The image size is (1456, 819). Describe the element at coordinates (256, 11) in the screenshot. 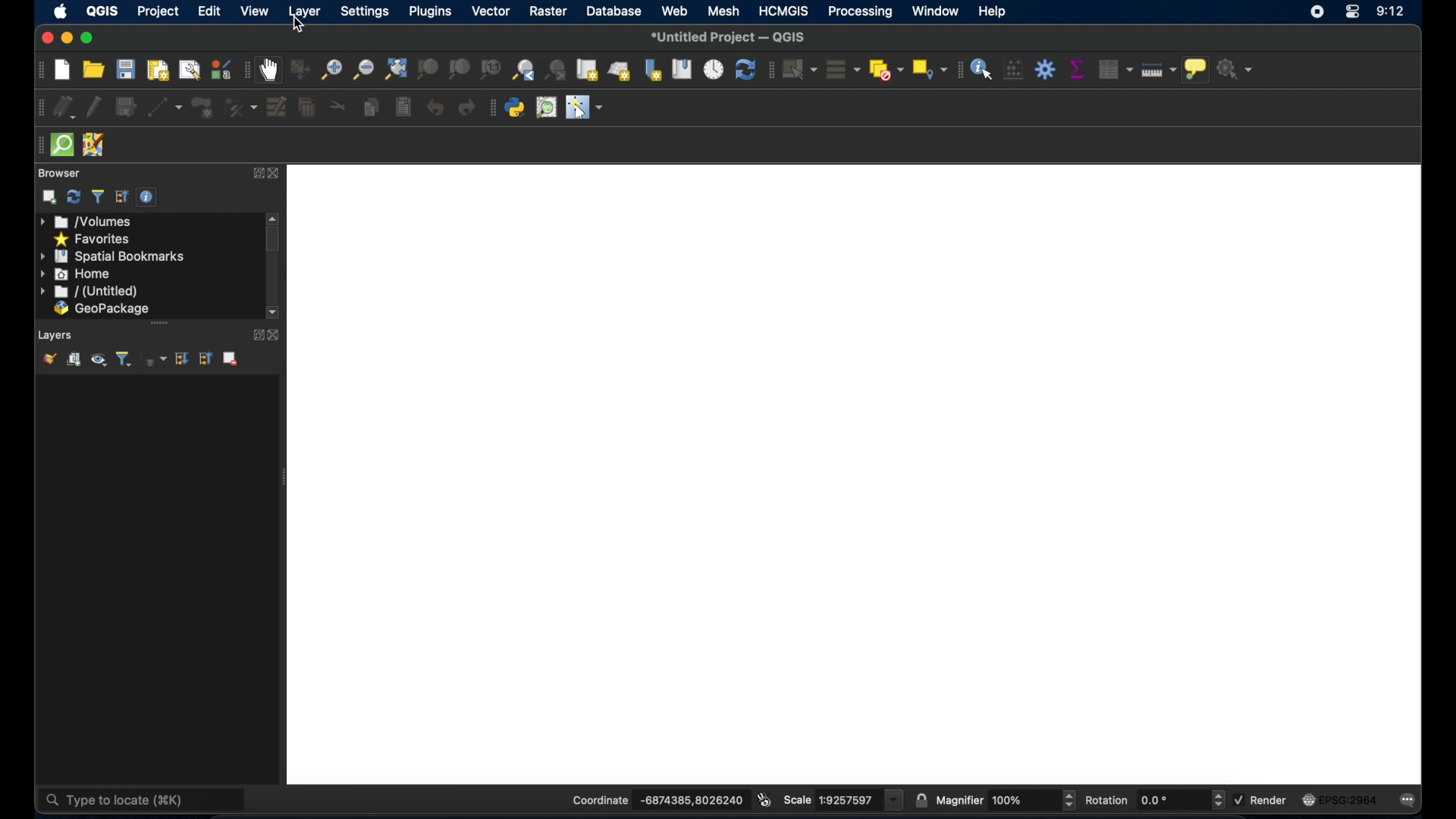

I see `view` at that location.